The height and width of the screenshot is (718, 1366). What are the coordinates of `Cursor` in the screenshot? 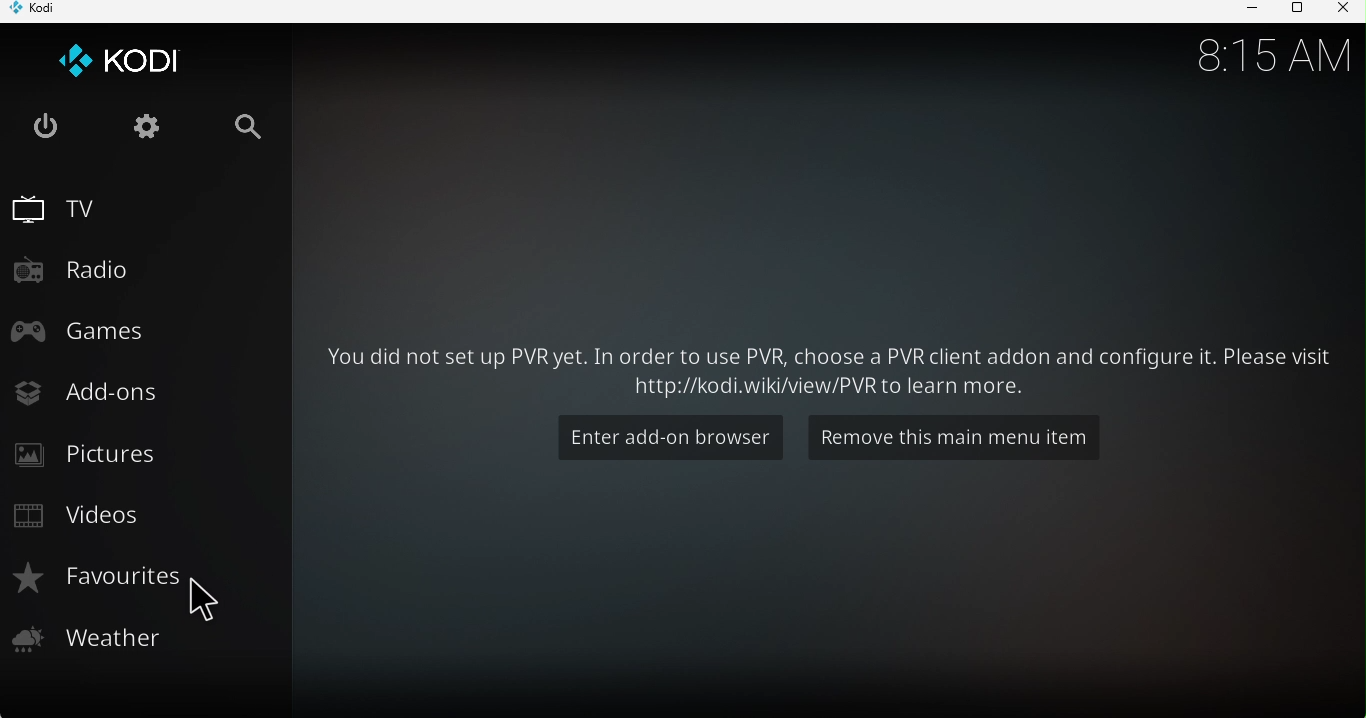 It's located at (212, 600).